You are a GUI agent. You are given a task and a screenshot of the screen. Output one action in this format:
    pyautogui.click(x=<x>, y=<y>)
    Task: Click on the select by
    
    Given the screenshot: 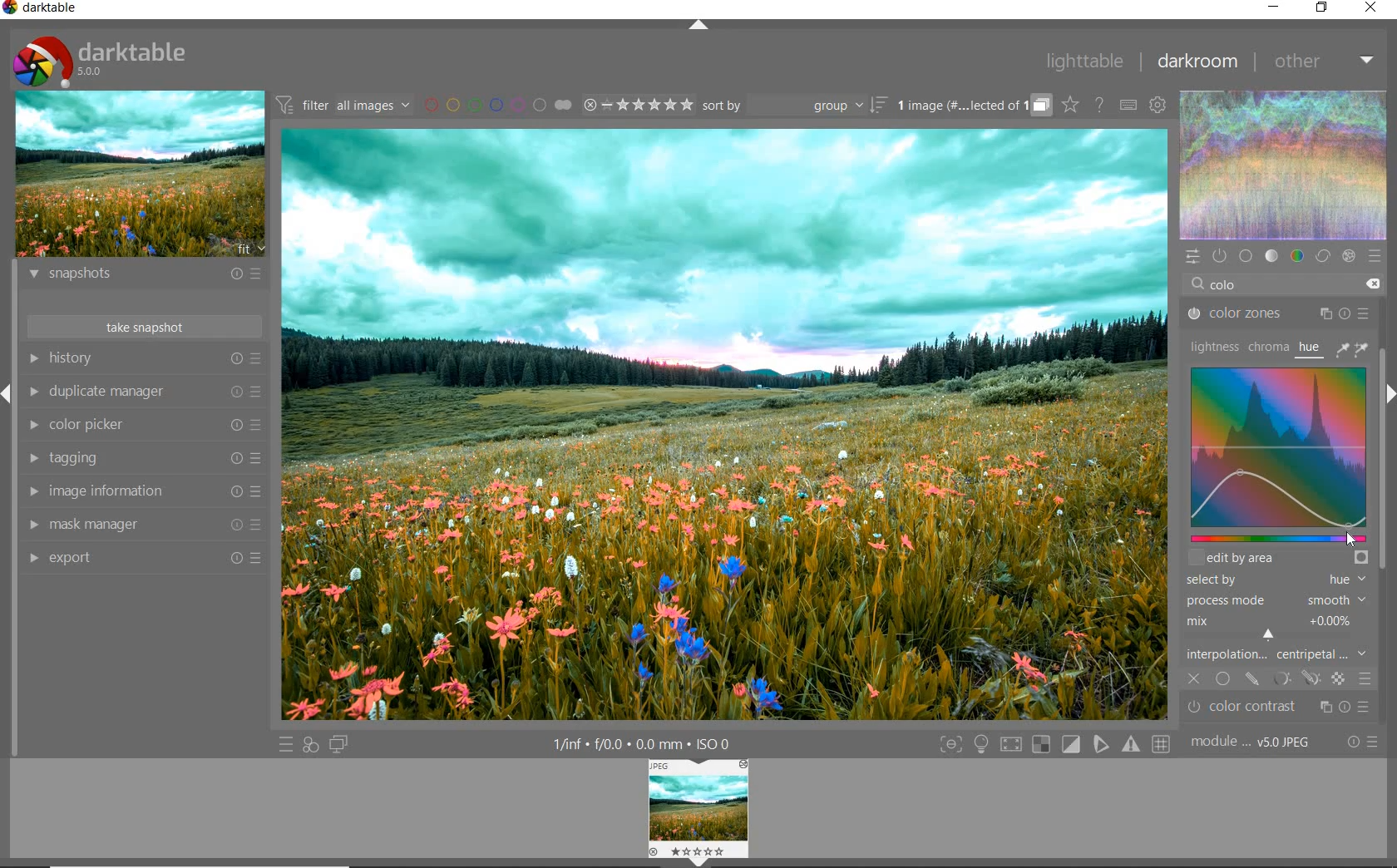 What is the action you would take?
    pyautogui.click(x=1275, y=580)
    